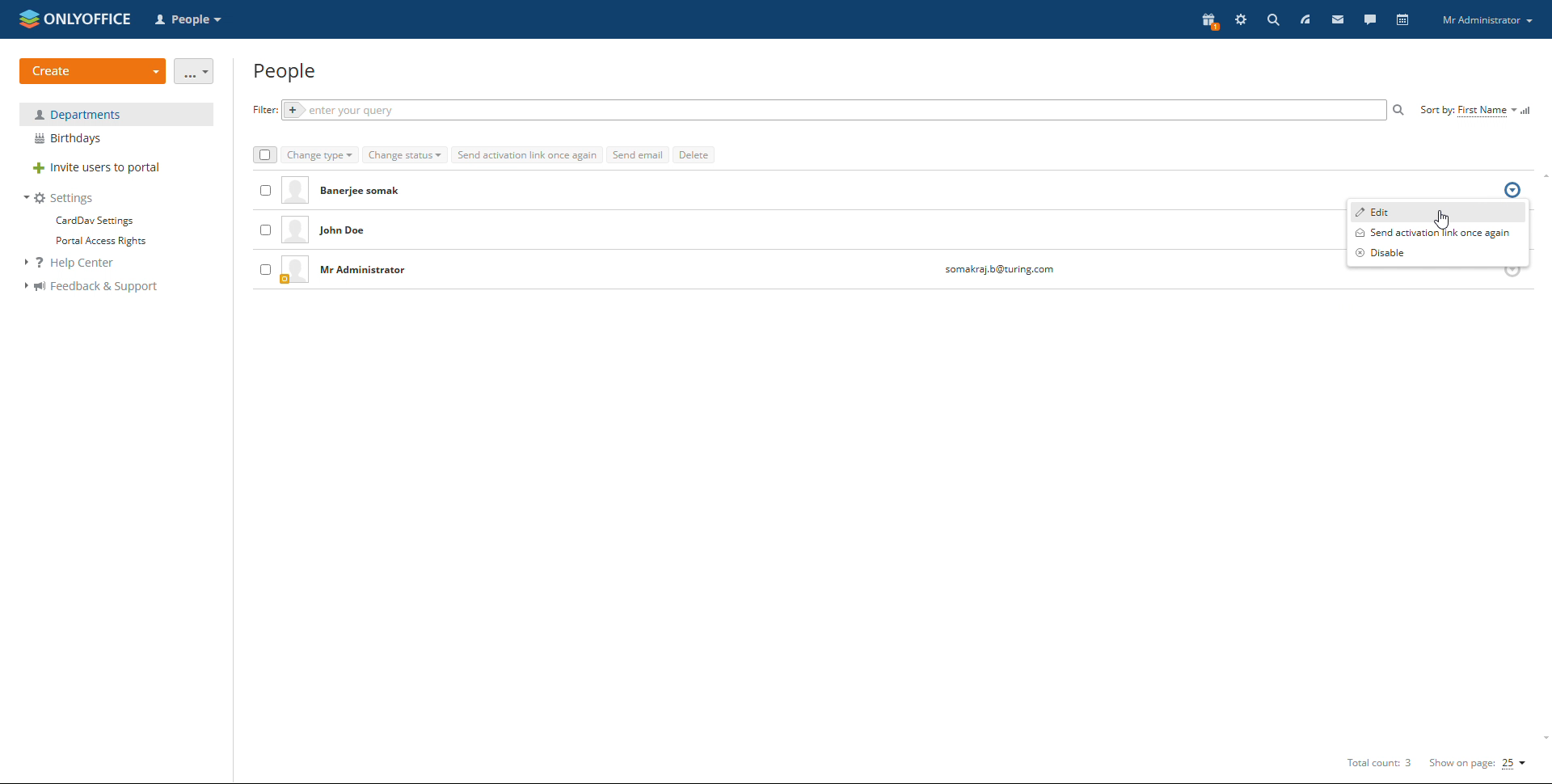 The height and width of the screenshot is (784, 1552). I want to click on carddev settings, so click(93, 221).